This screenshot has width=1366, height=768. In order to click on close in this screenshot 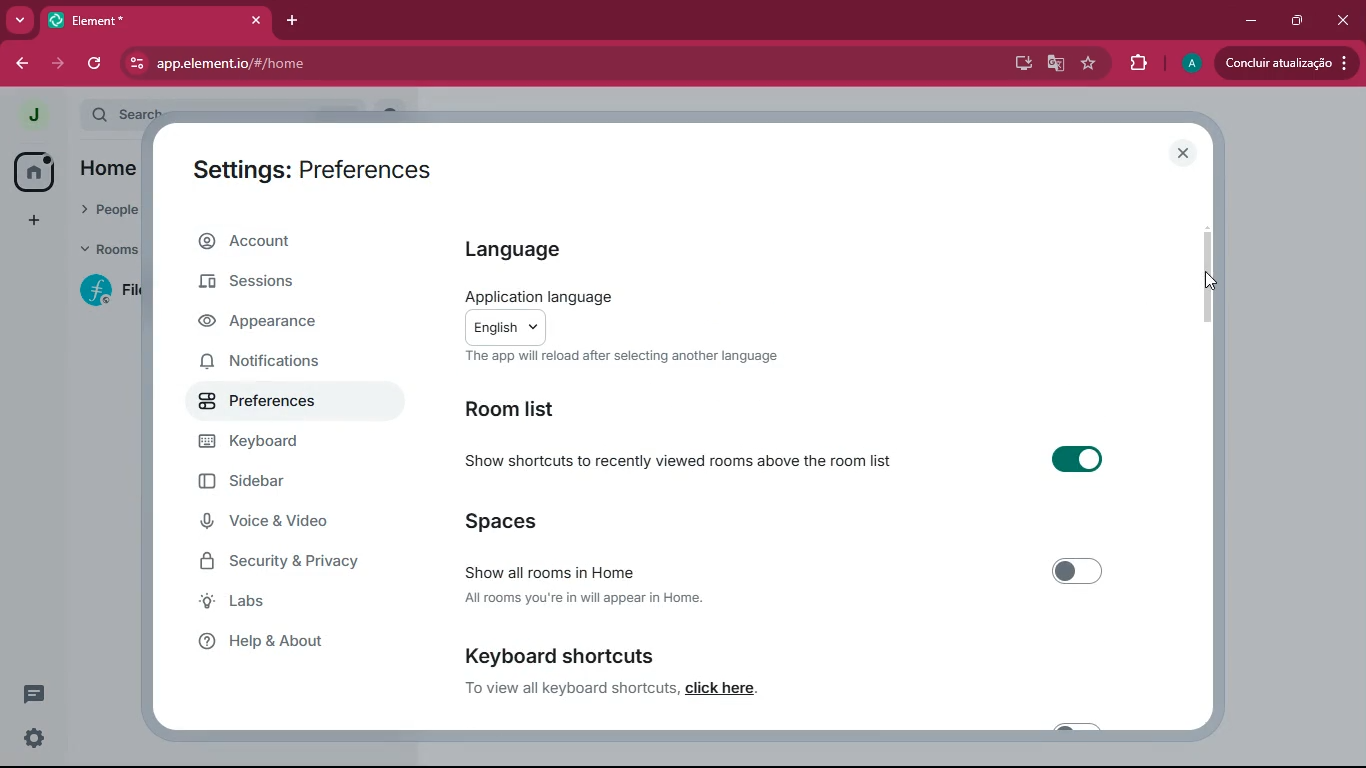, I will do `click(1183, 153)`.